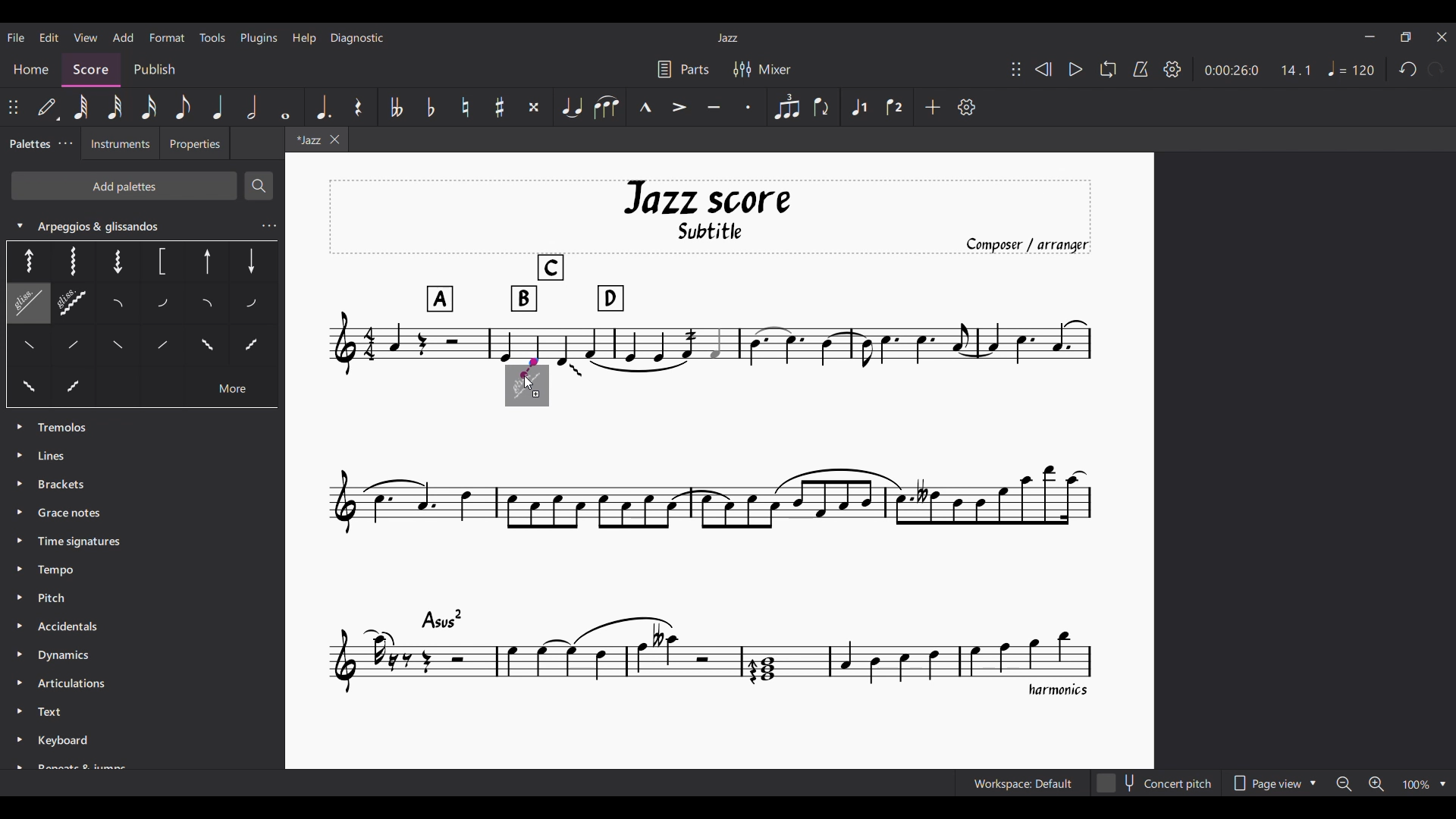  I want to click on Add menu, so click(124, 37).